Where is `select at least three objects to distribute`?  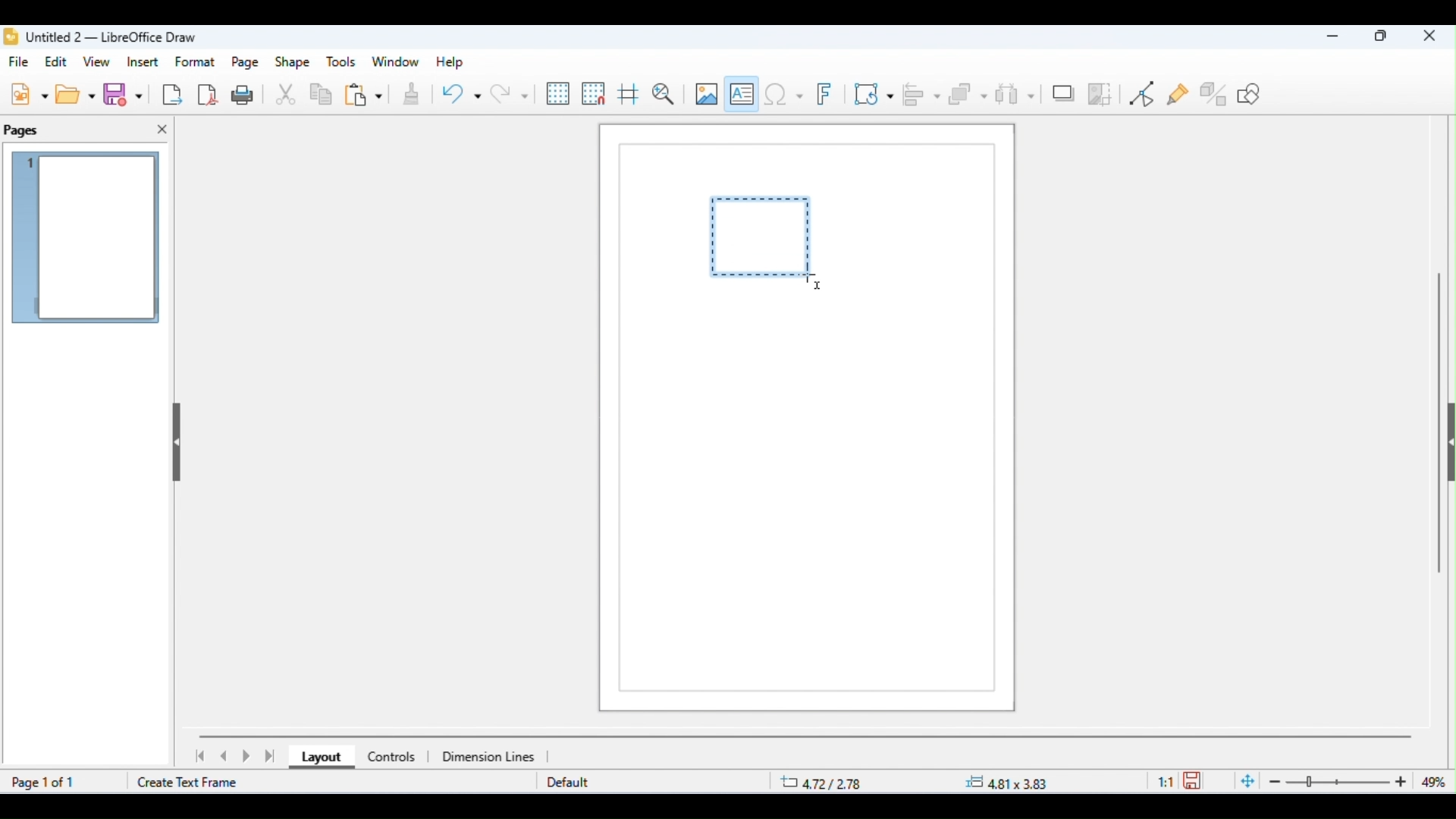
select at least three objects to distribute is located at coordinates (1015, 93).